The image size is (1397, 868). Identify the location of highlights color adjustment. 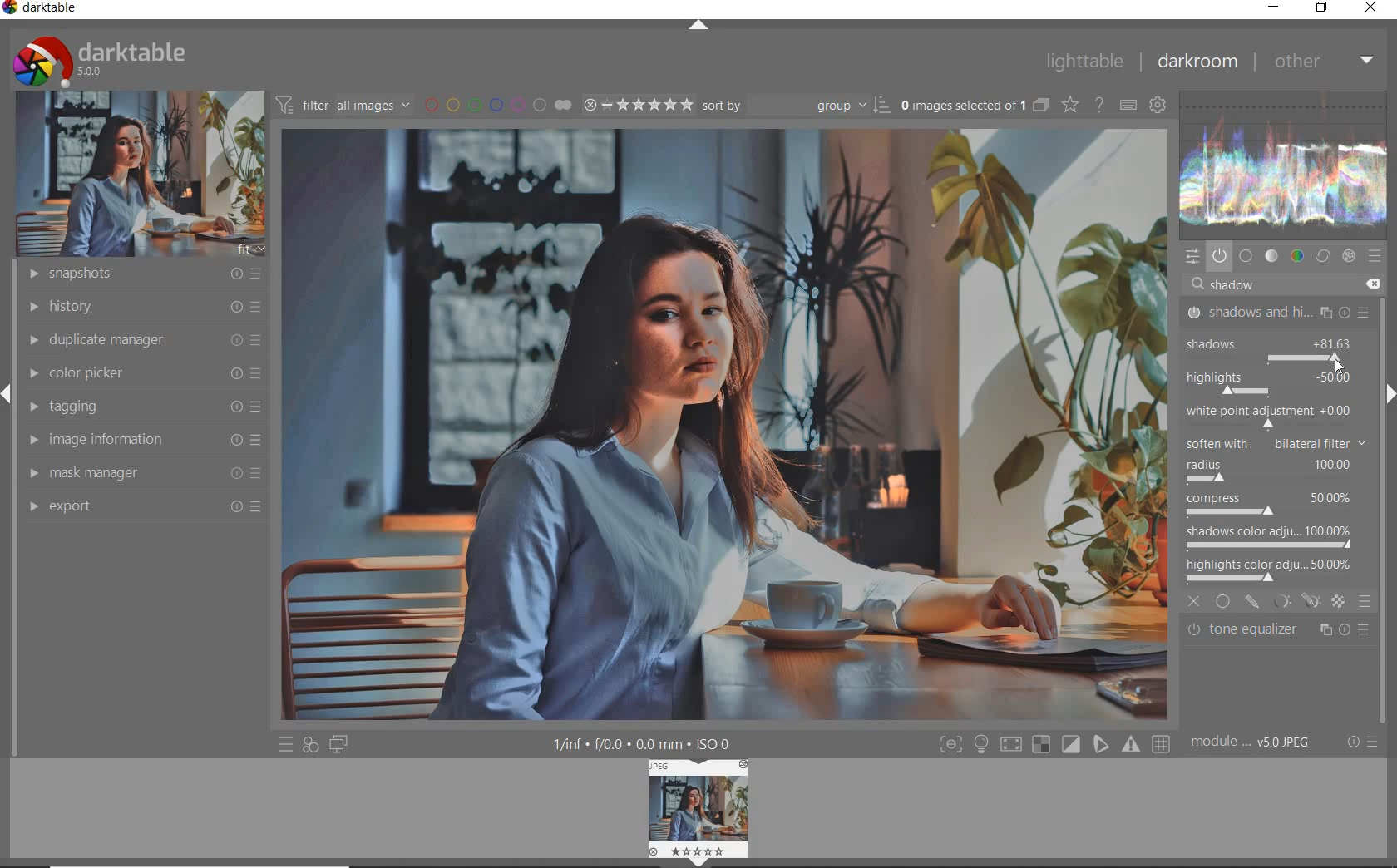
(1272, 568).